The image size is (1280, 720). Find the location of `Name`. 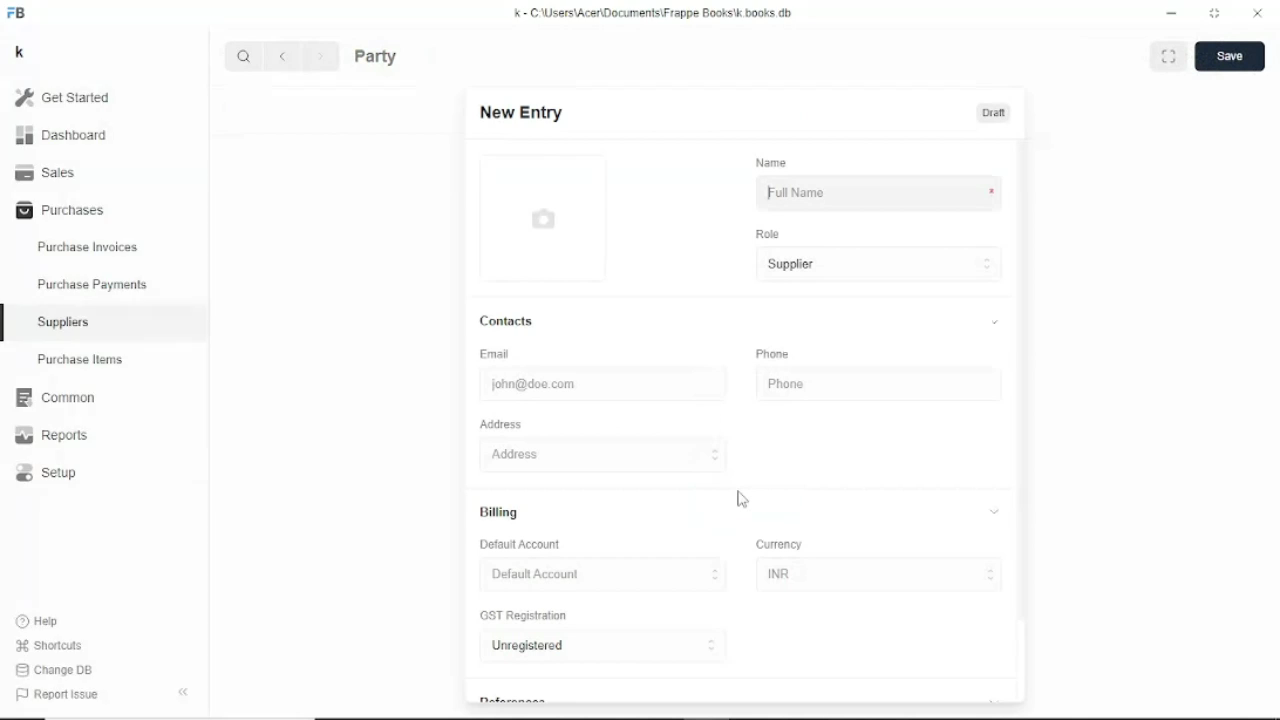

Name is located at coordinates (771, 161).